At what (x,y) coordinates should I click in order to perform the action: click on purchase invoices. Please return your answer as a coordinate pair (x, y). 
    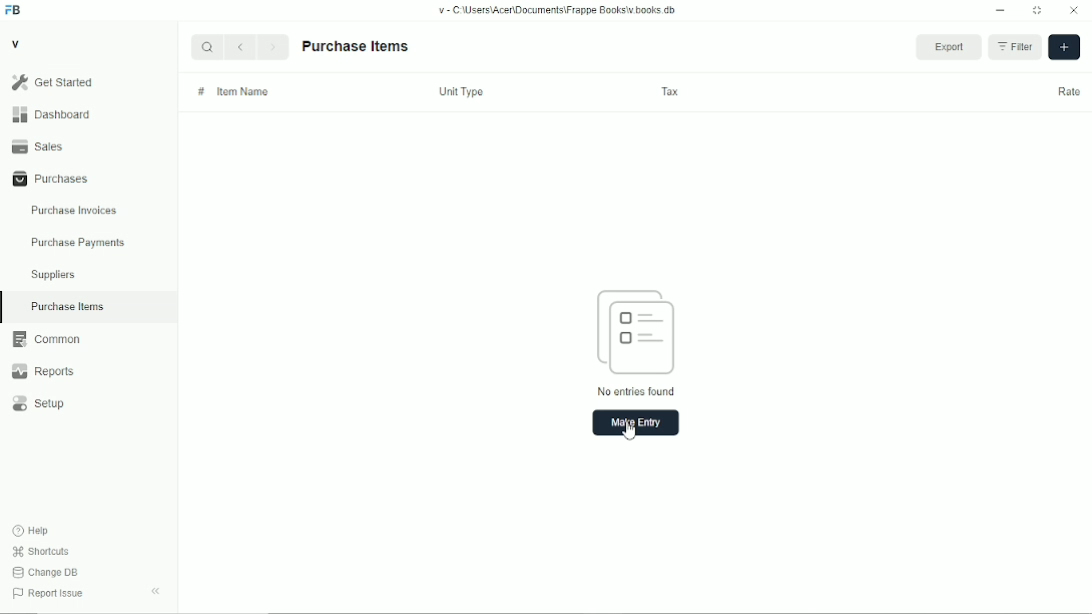
    Looking at the image, I should click on (74, 211).